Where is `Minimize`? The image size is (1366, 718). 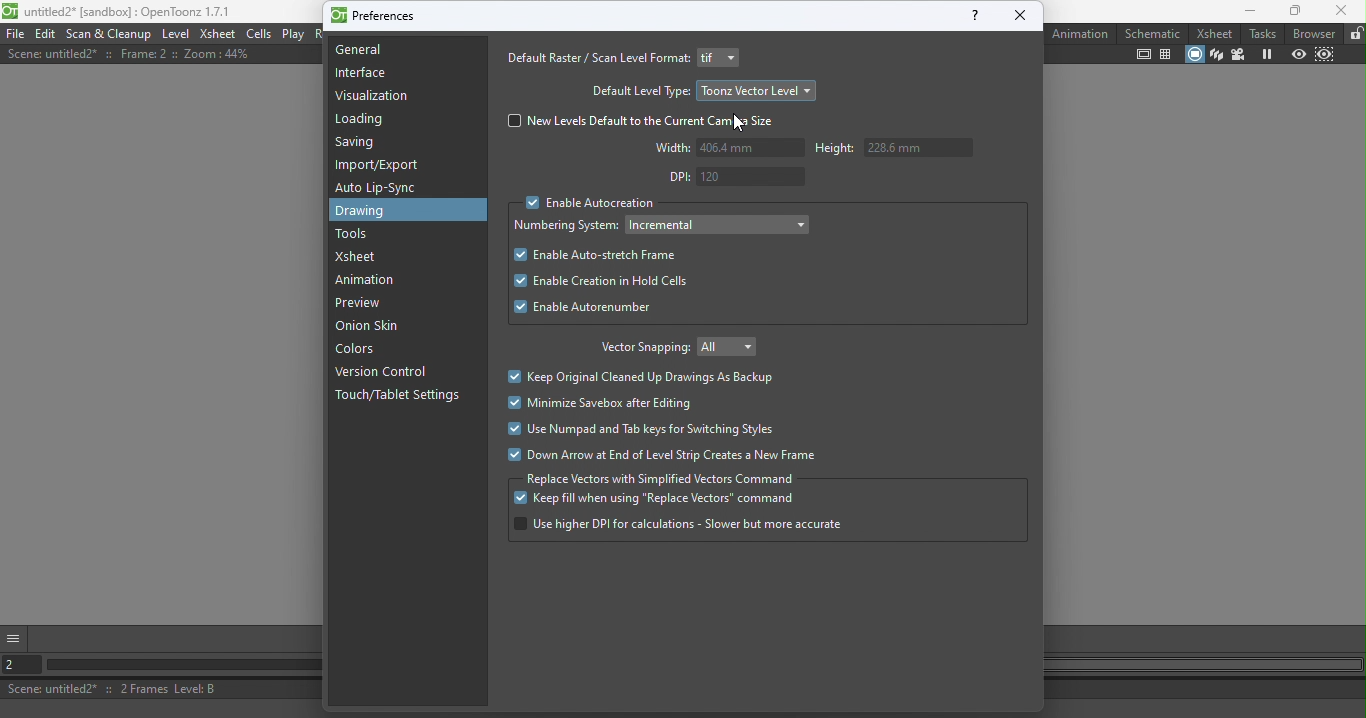
Minimize is located at coordinates (1239, 12).